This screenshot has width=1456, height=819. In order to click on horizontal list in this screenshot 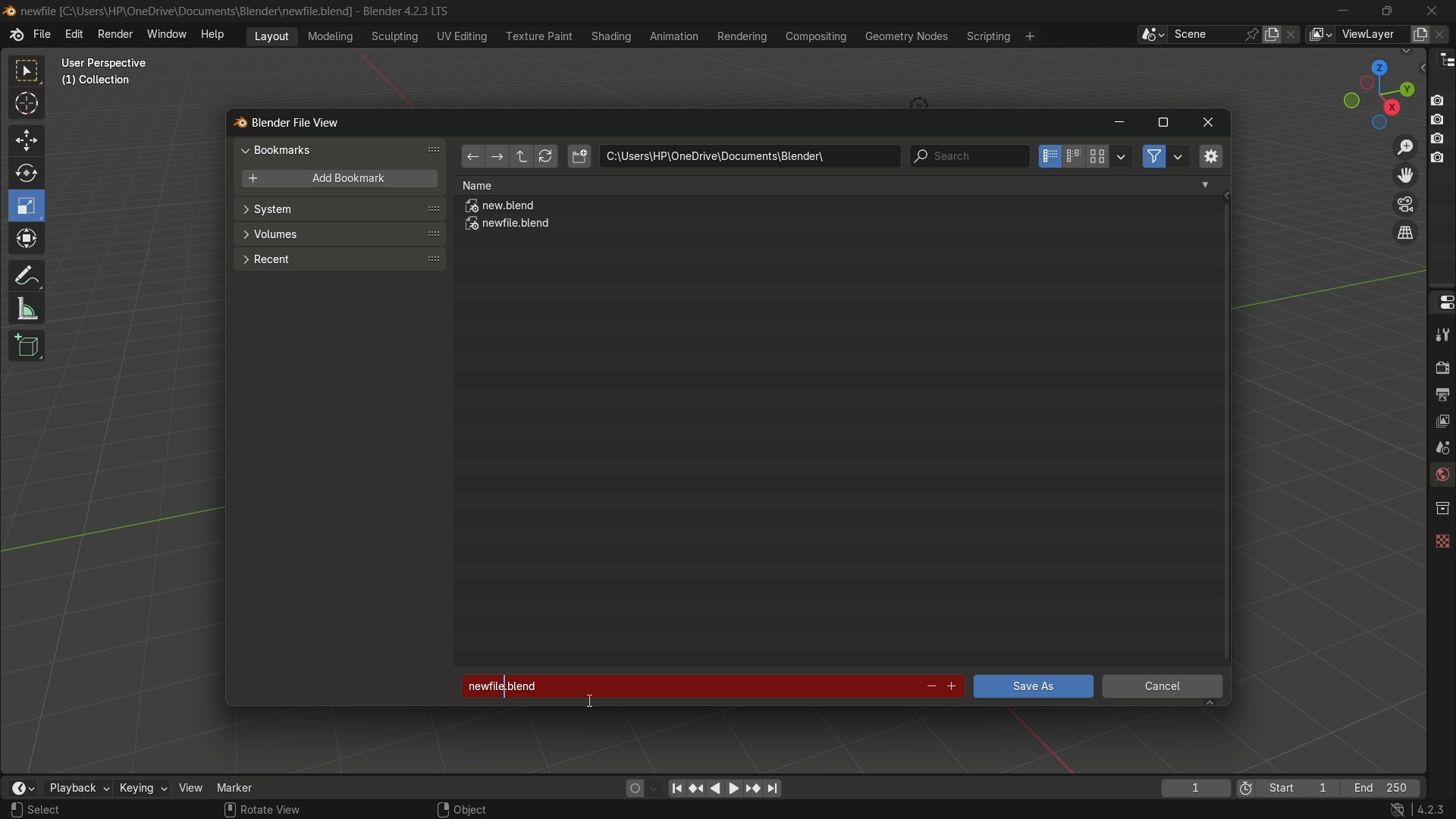, I will do `click(1073, 156)`.